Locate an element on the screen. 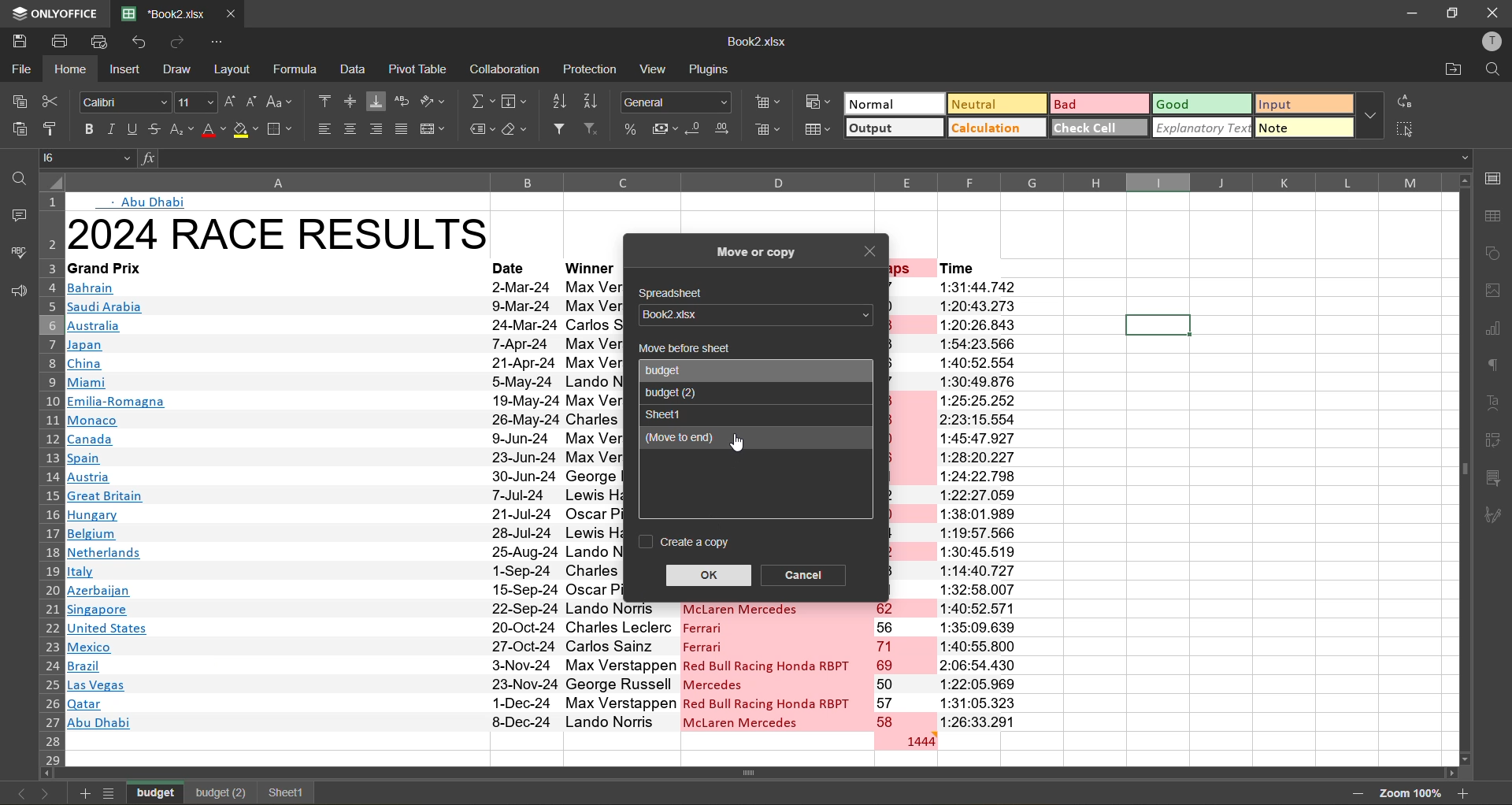 Image resolution: width=1512 pixels, height=805 pixels. spell check is located at coordinates (17, 251).